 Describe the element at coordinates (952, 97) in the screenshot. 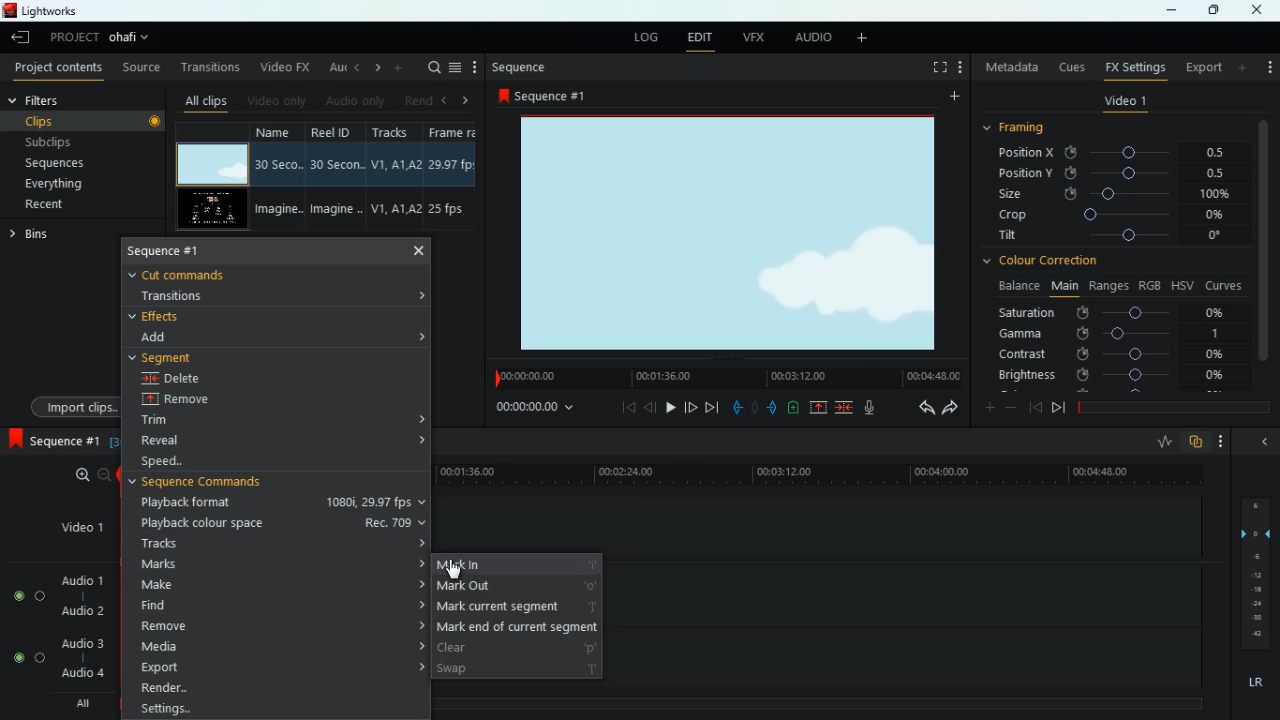

I see `add` at that location.